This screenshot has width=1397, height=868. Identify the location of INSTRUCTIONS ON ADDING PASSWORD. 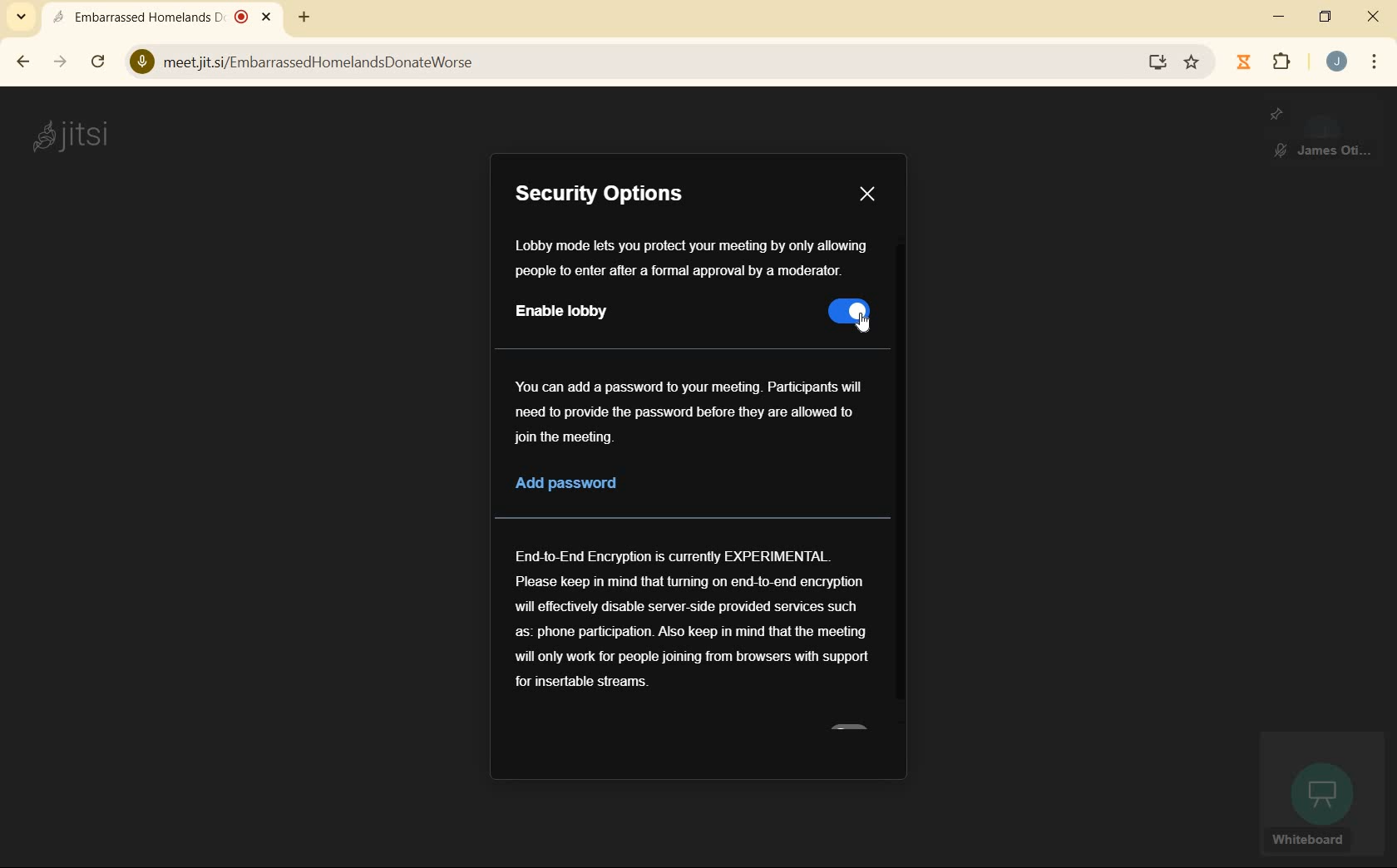
(689, 410).